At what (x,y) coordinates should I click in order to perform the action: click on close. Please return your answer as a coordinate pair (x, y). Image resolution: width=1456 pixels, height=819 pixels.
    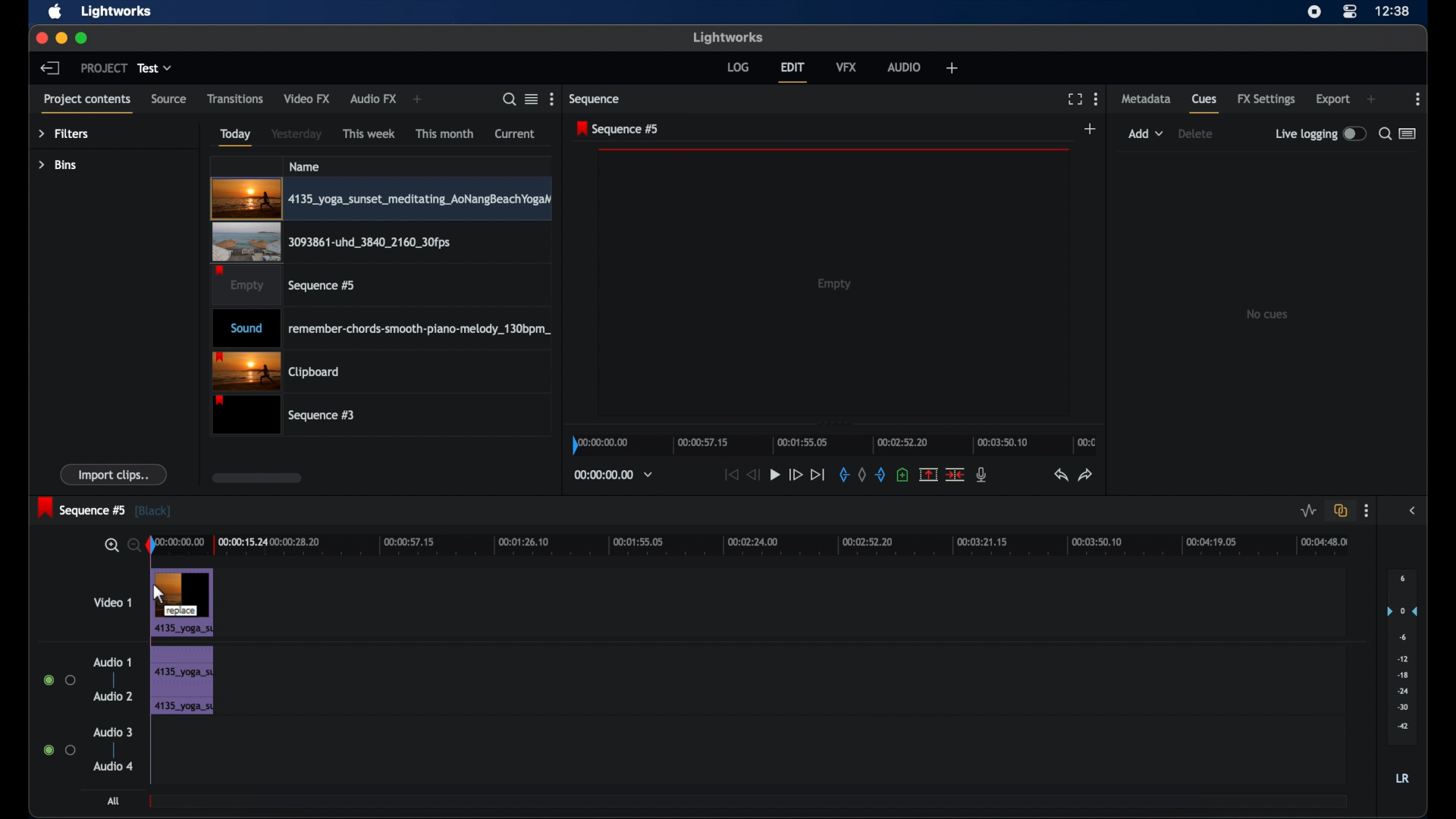
    Looking at the image, I should click on (40, 36).